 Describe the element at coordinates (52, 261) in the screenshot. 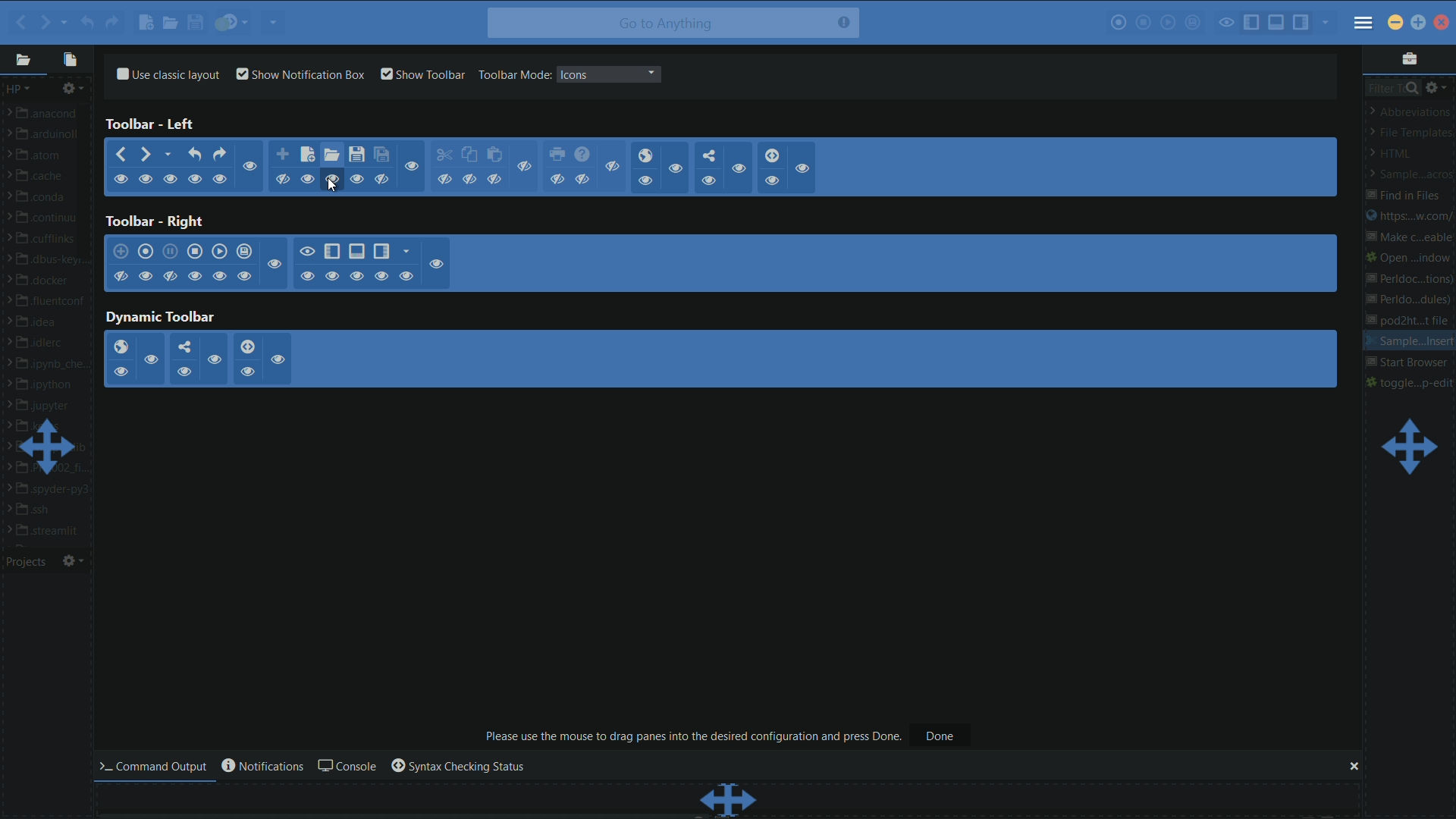

I see `.dbus-key:..` at that location.